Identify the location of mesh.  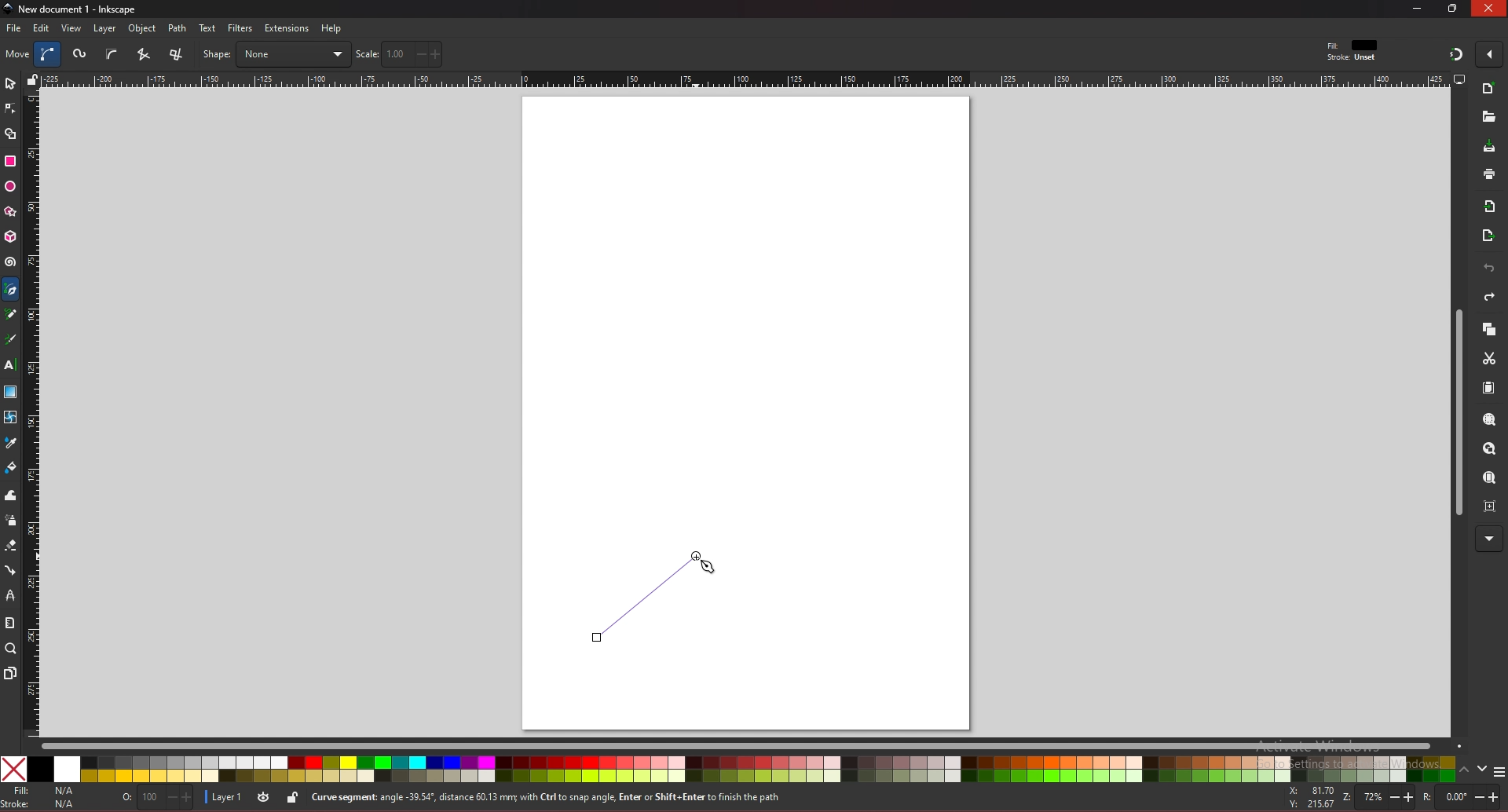
(9, 417).